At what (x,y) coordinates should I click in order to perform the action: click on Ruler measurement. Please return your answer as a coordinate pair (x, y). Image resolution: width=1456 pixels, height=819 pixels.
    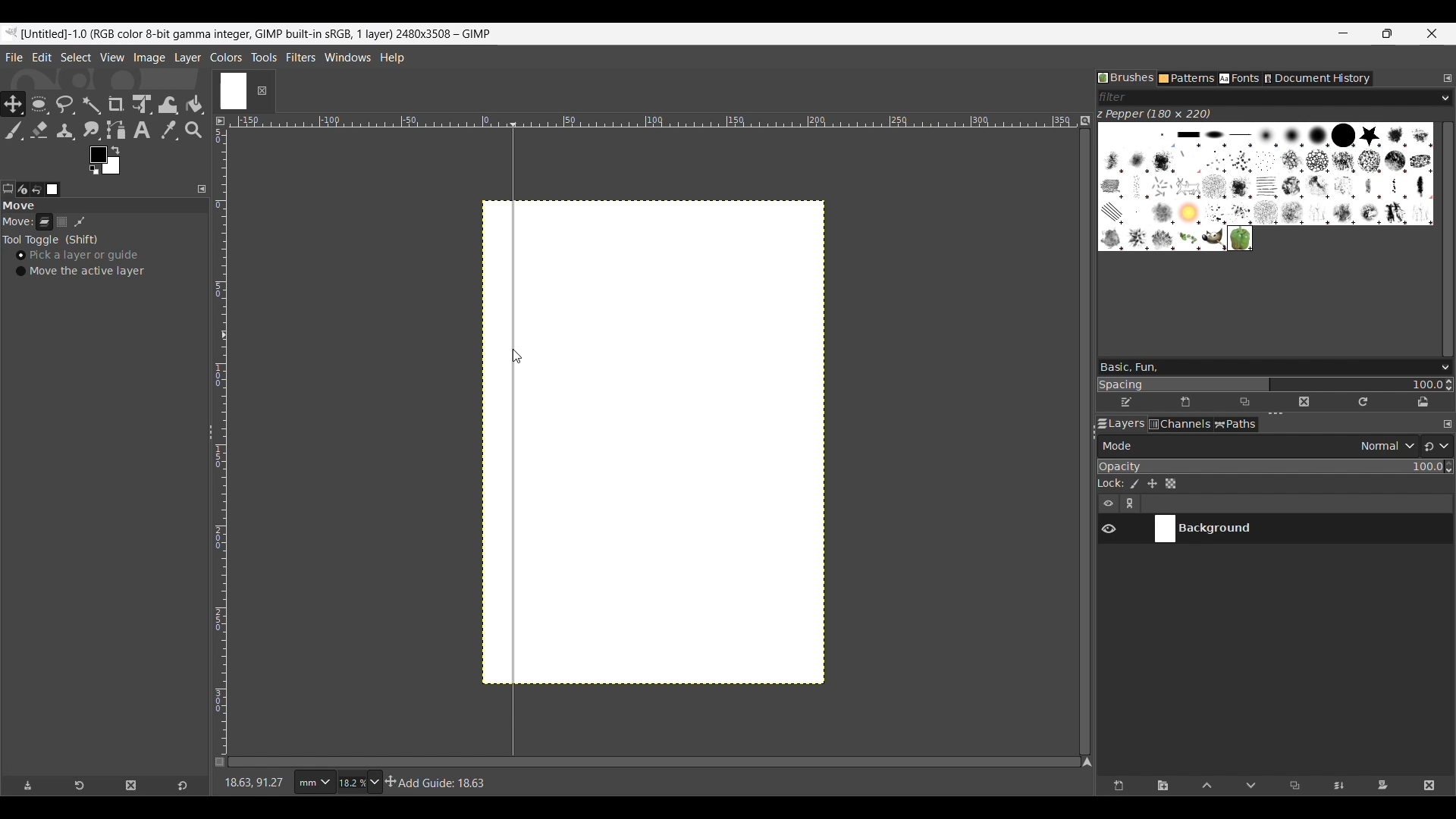
    Looking at the image, I should click on (313, 783).